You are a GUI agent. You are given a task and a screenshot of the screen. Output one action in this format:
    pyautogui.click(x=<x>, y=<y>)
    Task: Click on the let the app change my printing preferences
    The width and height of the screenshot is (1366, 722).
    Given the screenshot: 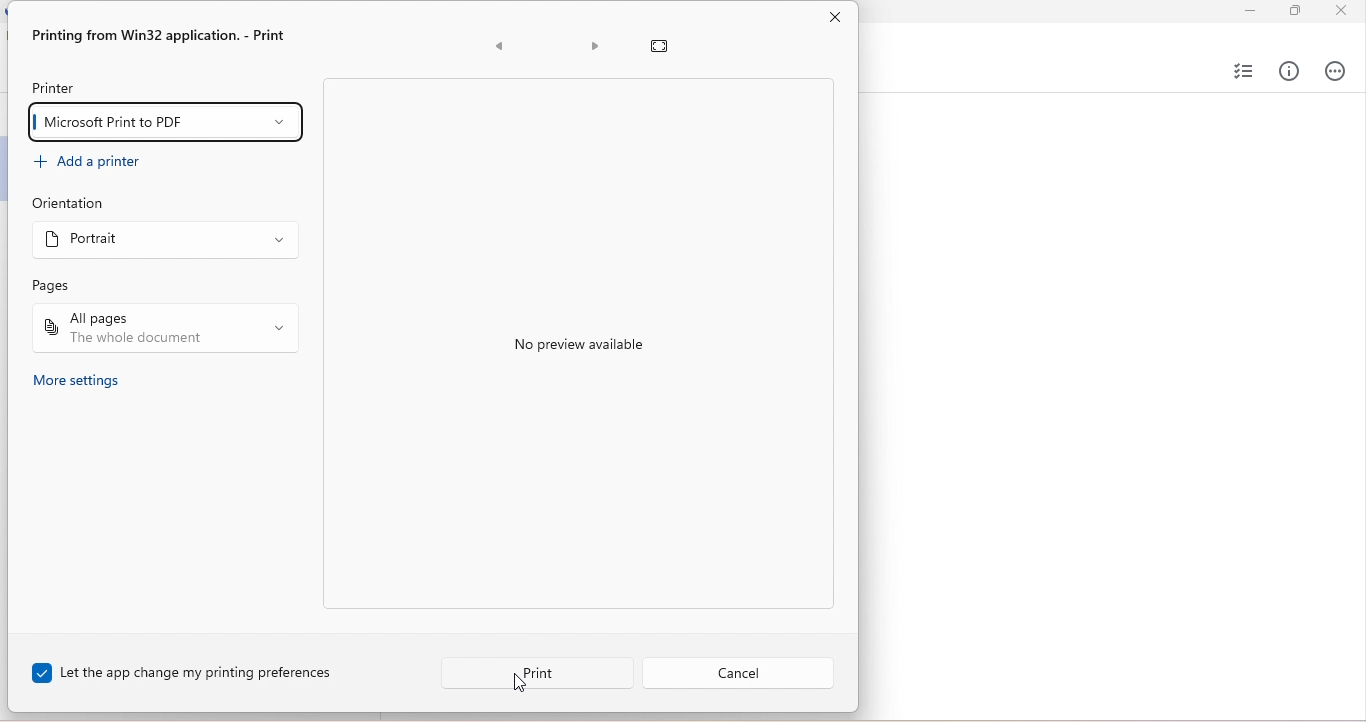 What is the action you would take?
    pyautogui.click(x=181, y=672)
    